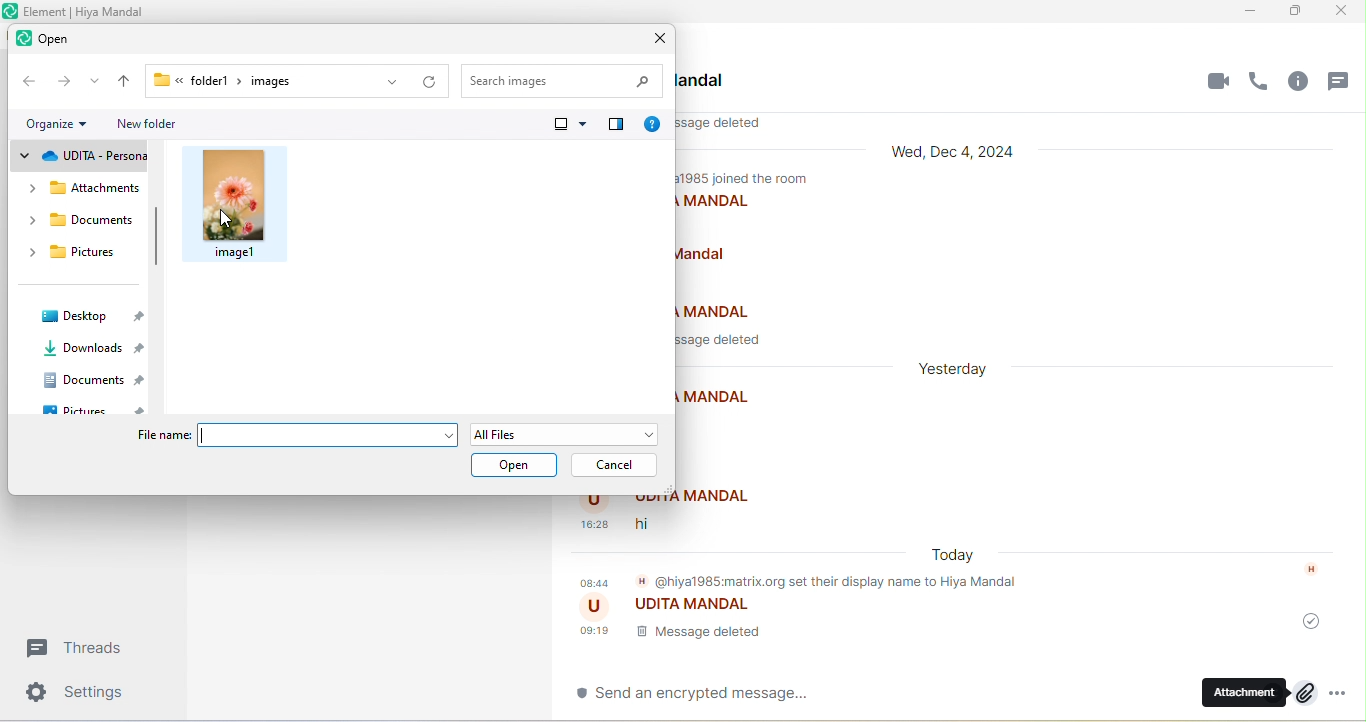  I want to click on image 1, so click(235, 204).